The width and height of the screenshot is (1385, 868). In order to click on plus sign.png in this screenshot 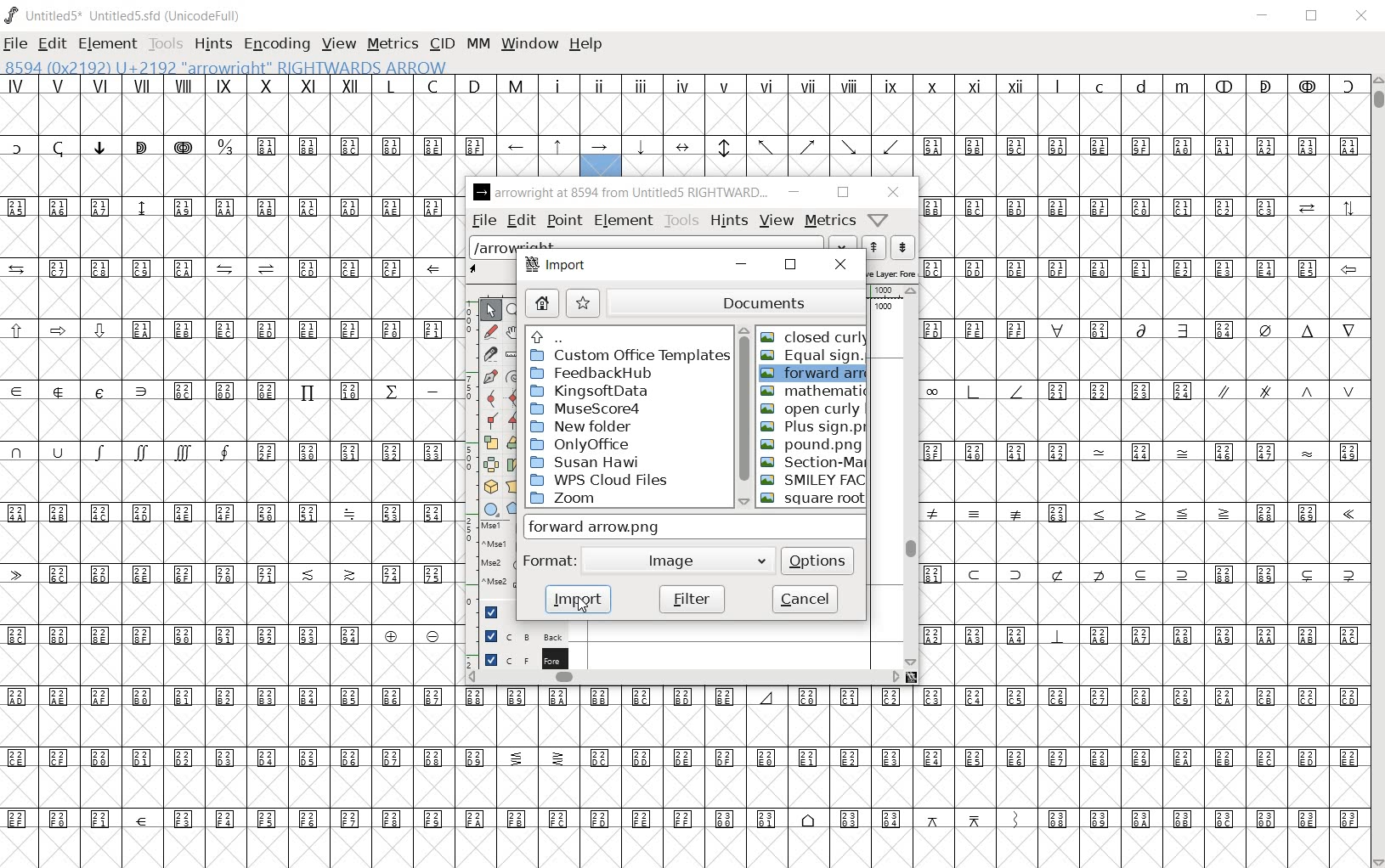, I will do `click(813, 428)`.